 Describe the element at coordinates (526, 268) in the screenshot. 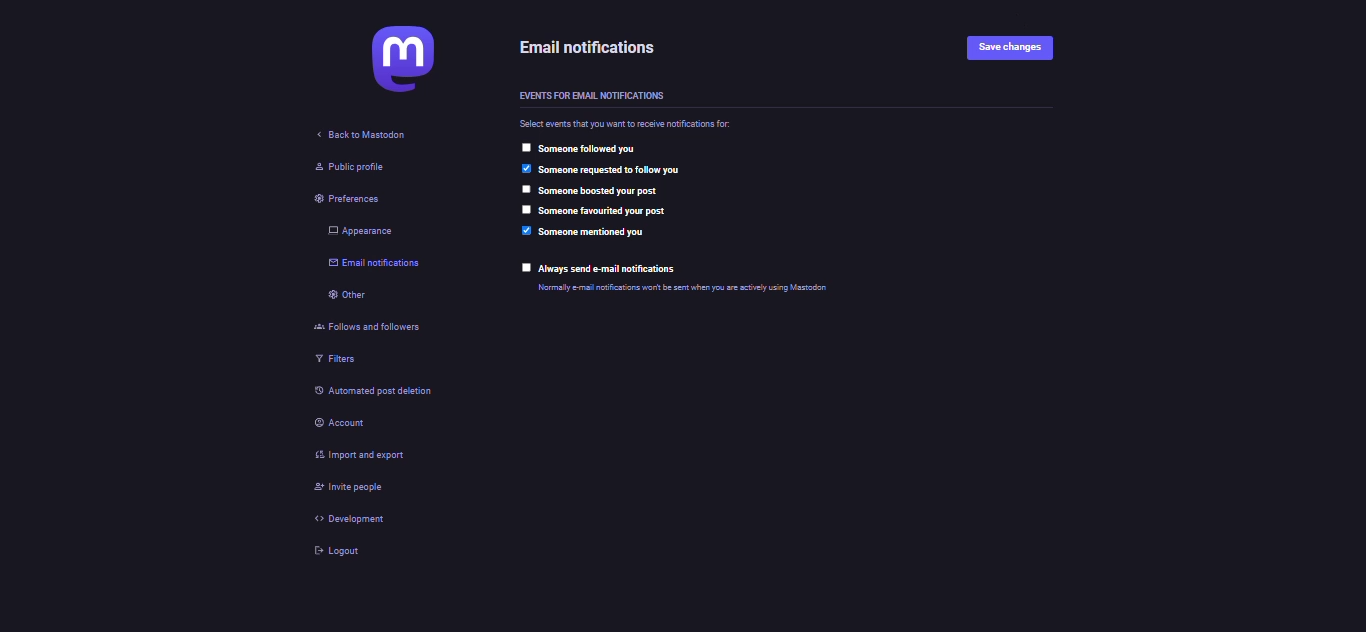

I see `click to enable` at that location.